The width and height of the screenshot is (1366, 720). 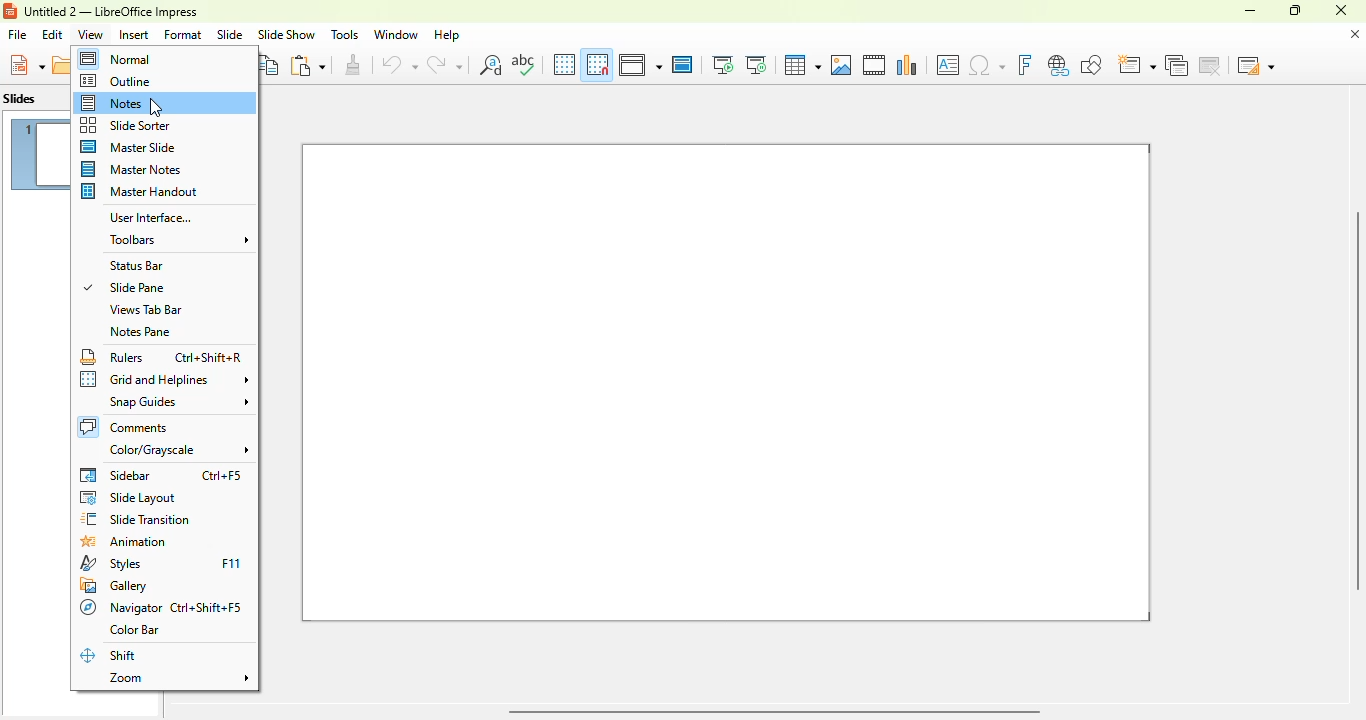 I want to click on format, so click(x=183, y=35).